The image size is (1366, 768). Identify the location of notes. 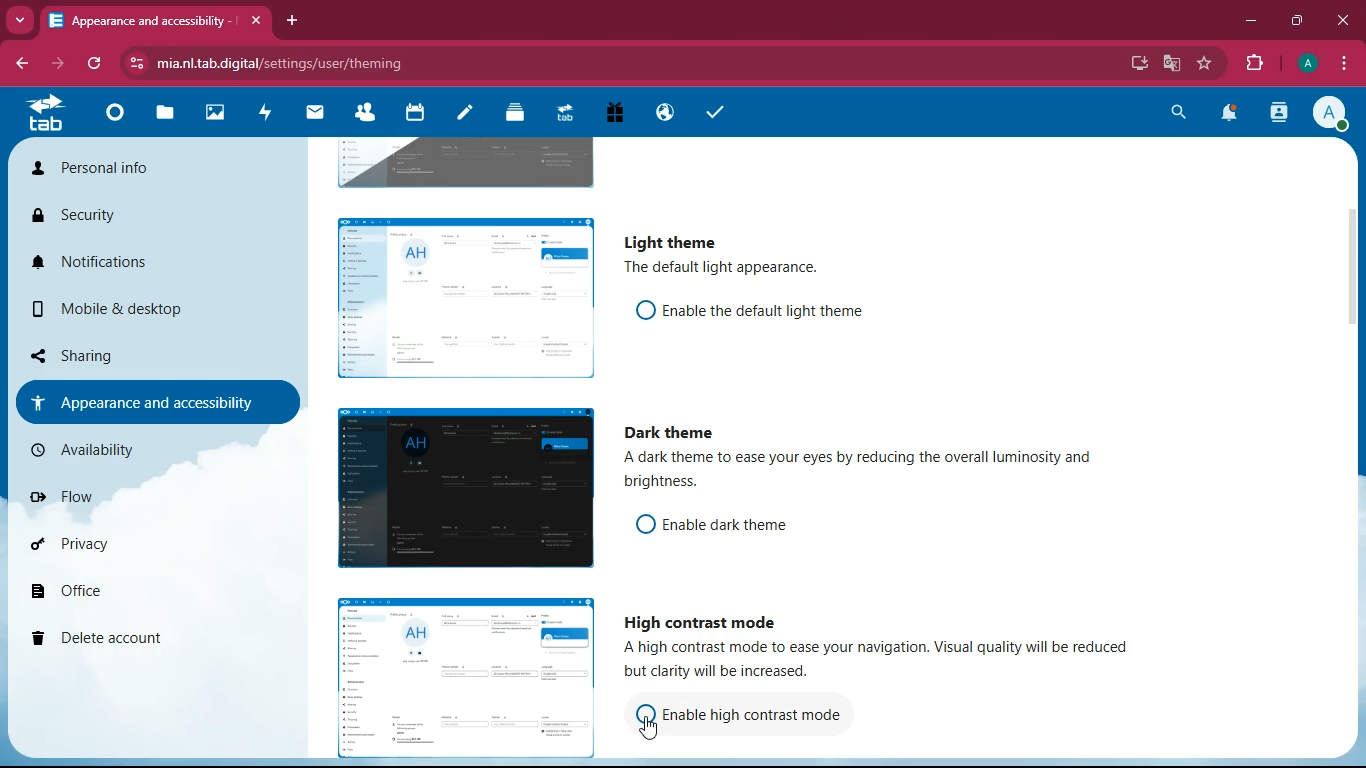
(461, 115).